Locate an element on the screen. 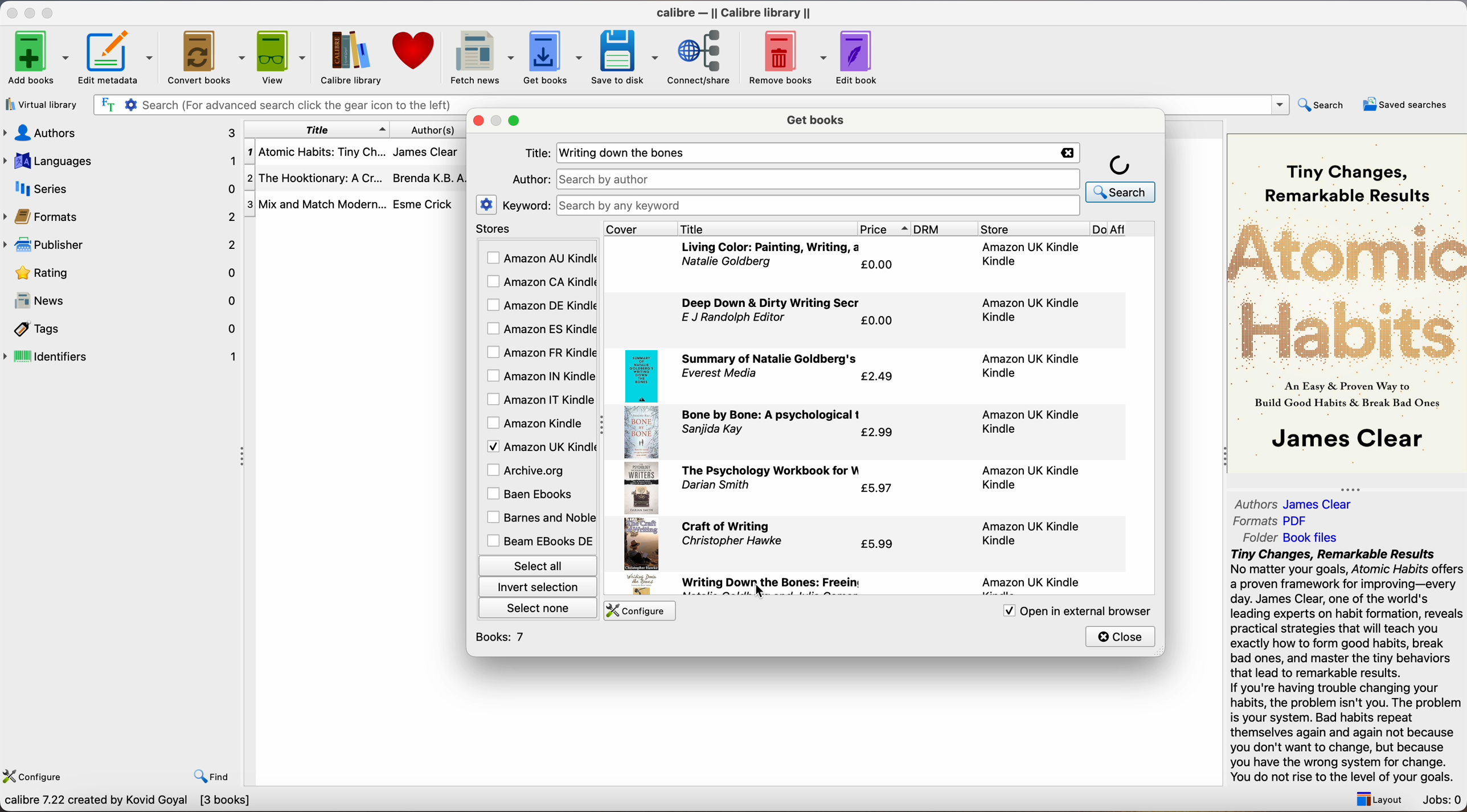 The width and height of the screenshot is (1467, 812). languages is located at coordinates (119, 160).